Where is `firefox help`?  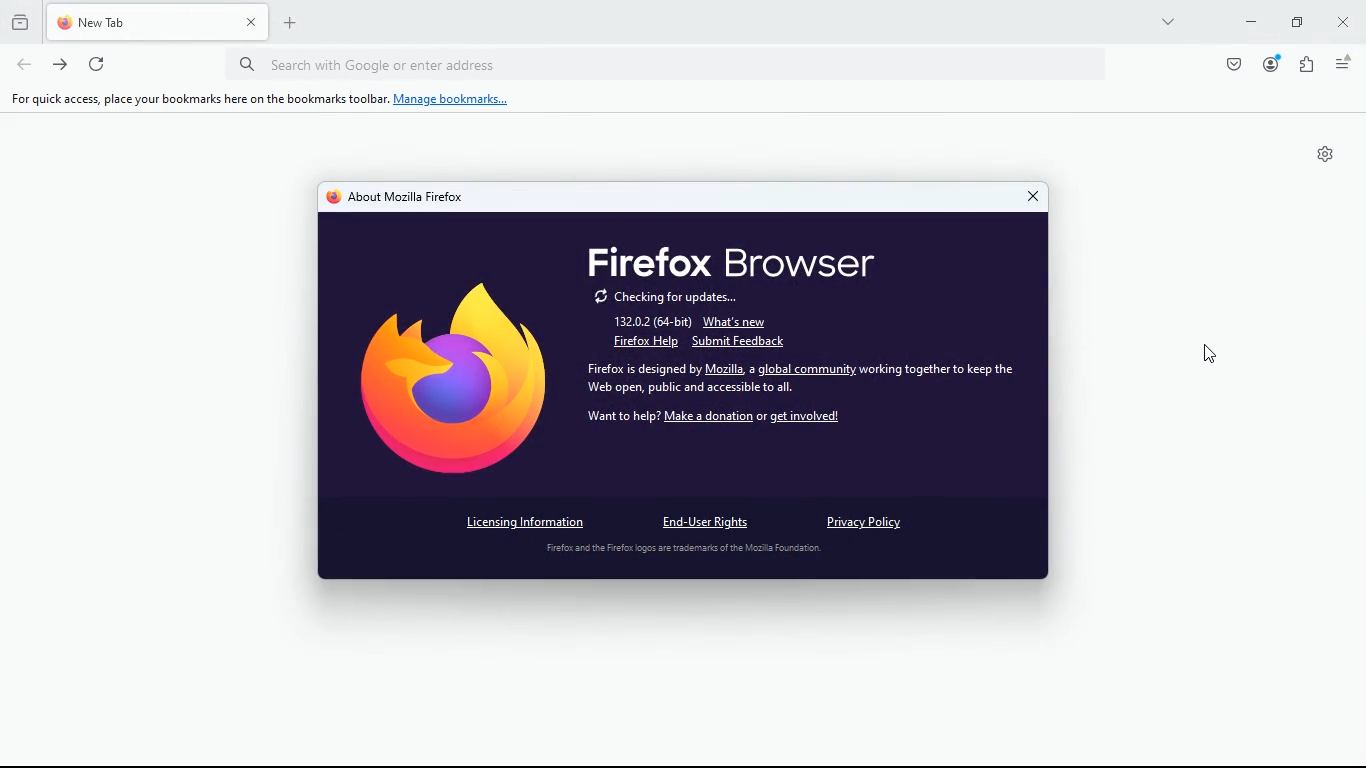
firefox help is located at coordinates (646, 341).